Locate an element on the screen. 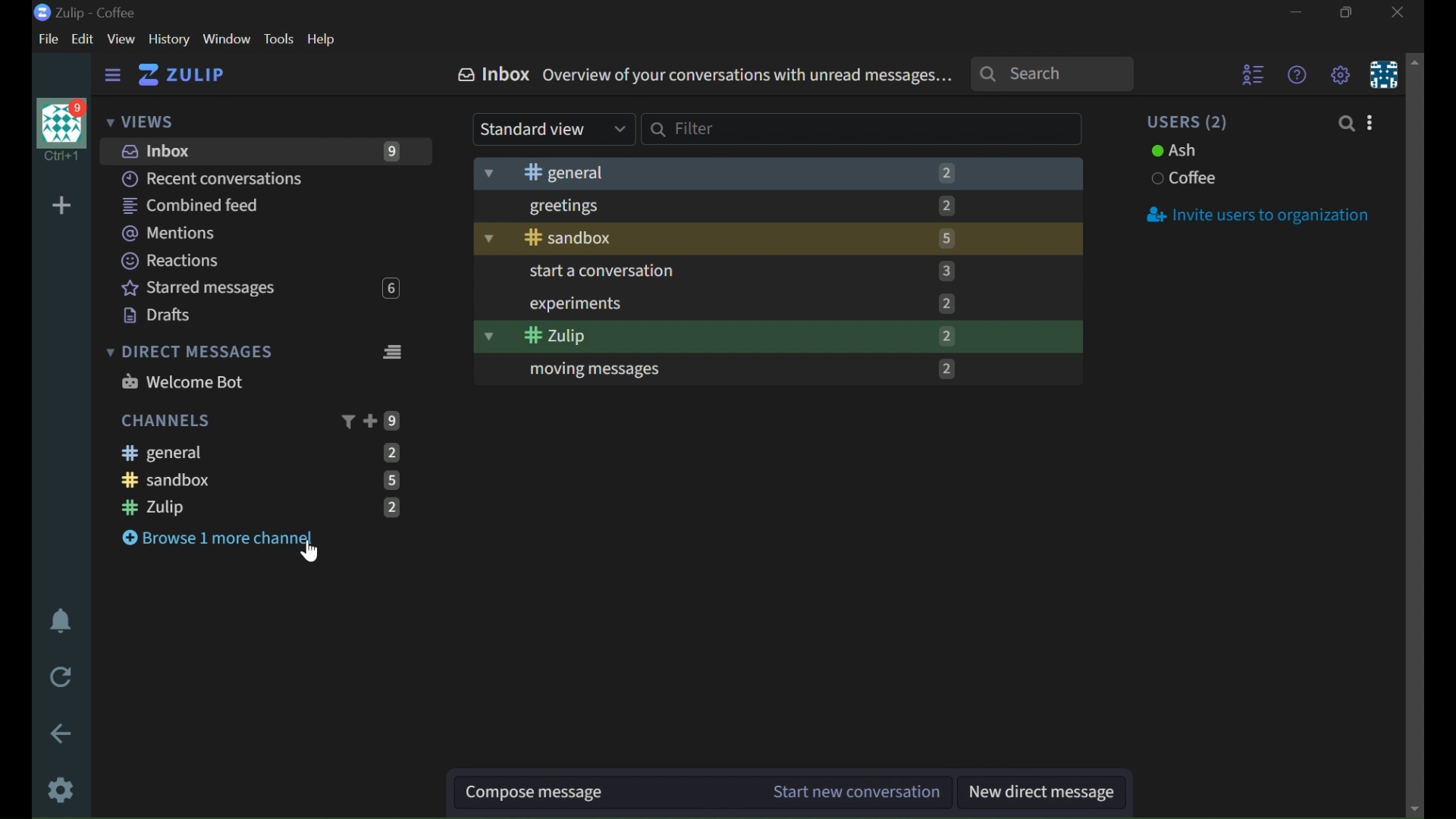  WELCOME BOT is located at coordinates (255, 381).